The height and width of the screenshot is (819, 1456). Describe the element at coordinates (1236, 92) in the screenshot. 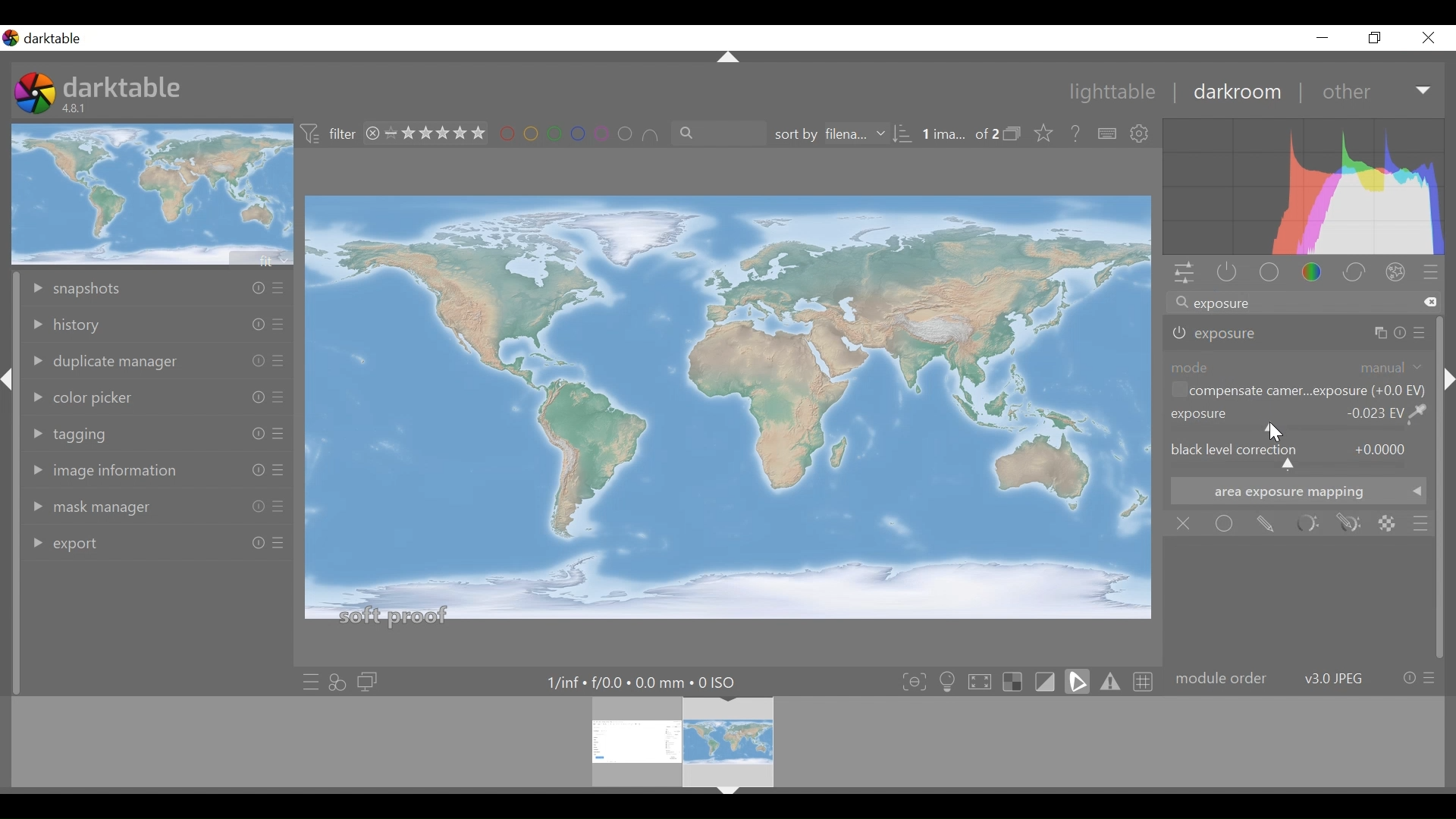

I see `darkroom` at that location.